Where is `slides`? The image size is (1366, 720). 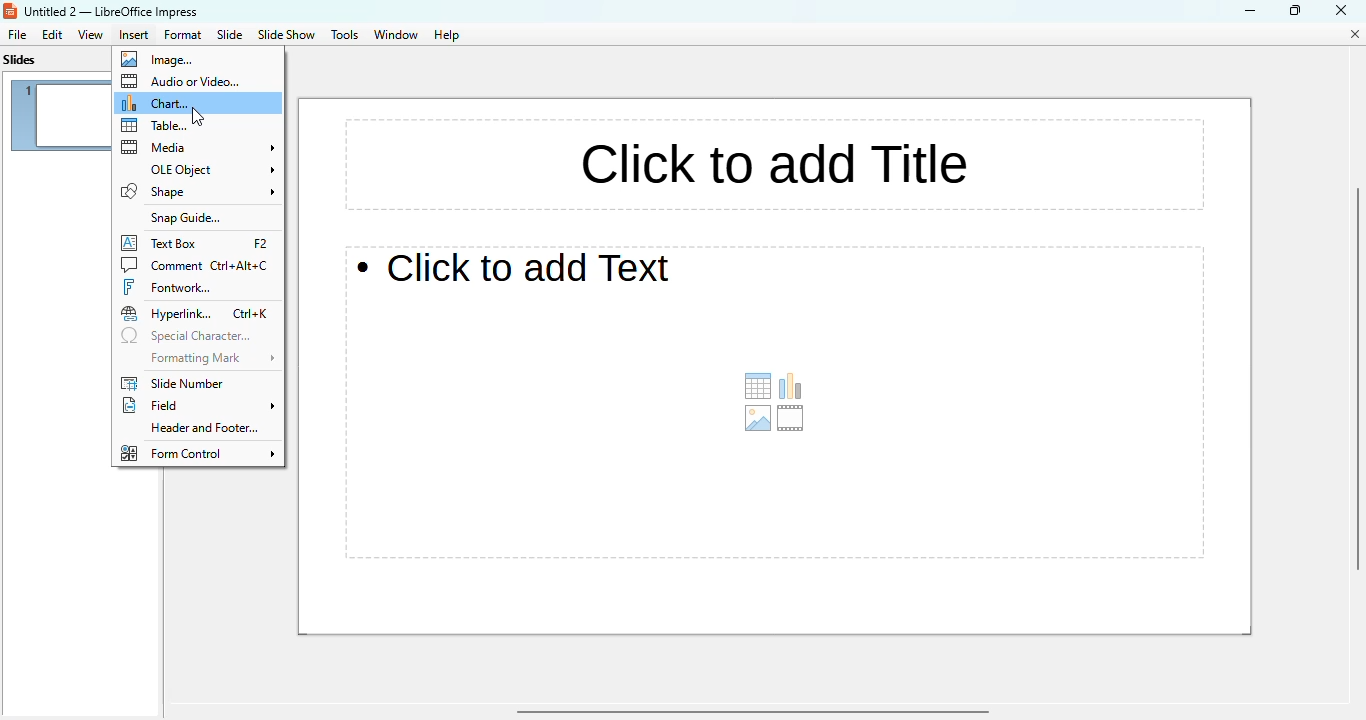
slides is located at coordinates (20, 60).